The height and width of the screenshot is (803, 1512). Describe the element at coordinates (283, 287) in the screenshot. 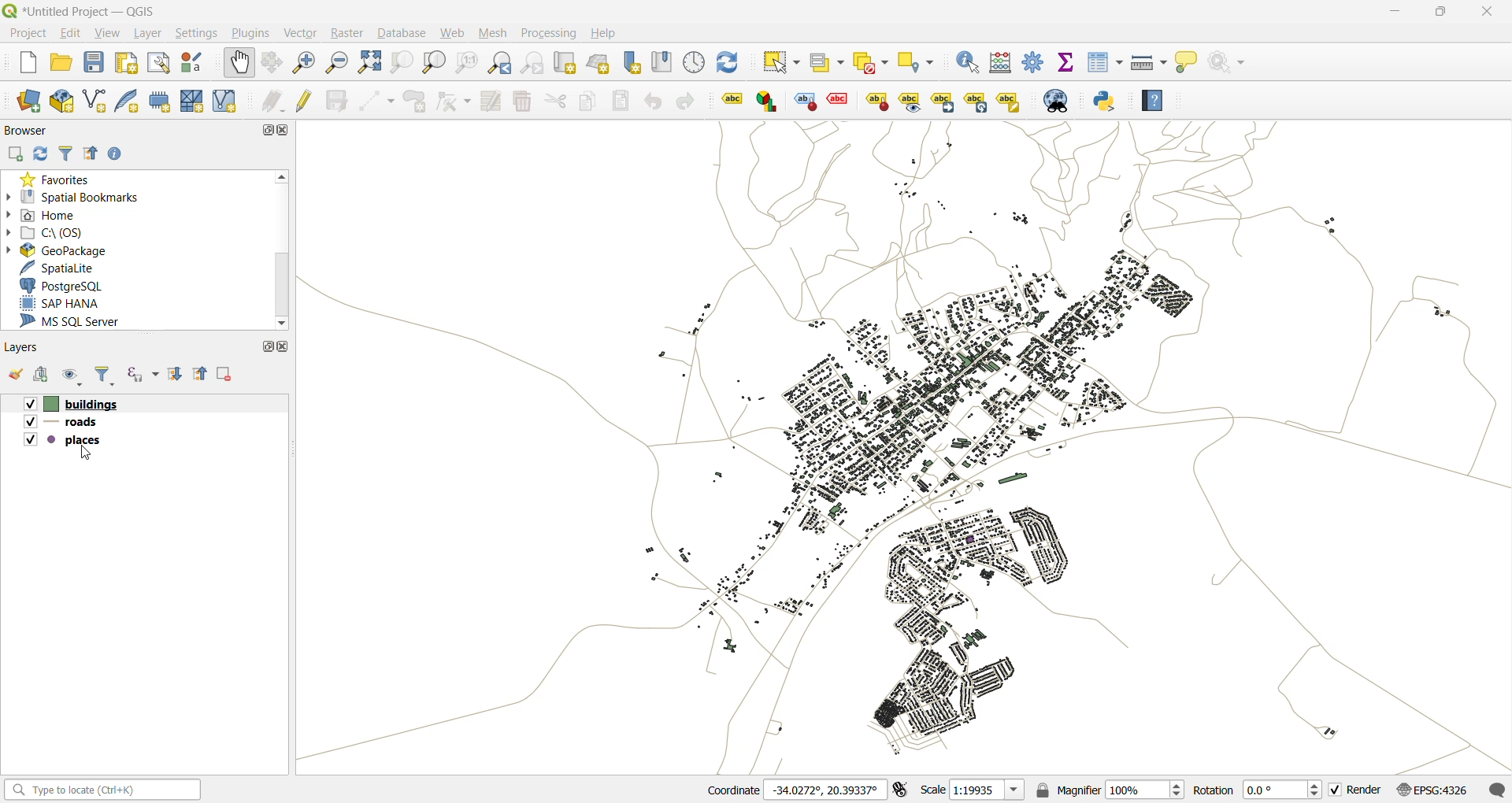

I see `scroll bar` at that location.